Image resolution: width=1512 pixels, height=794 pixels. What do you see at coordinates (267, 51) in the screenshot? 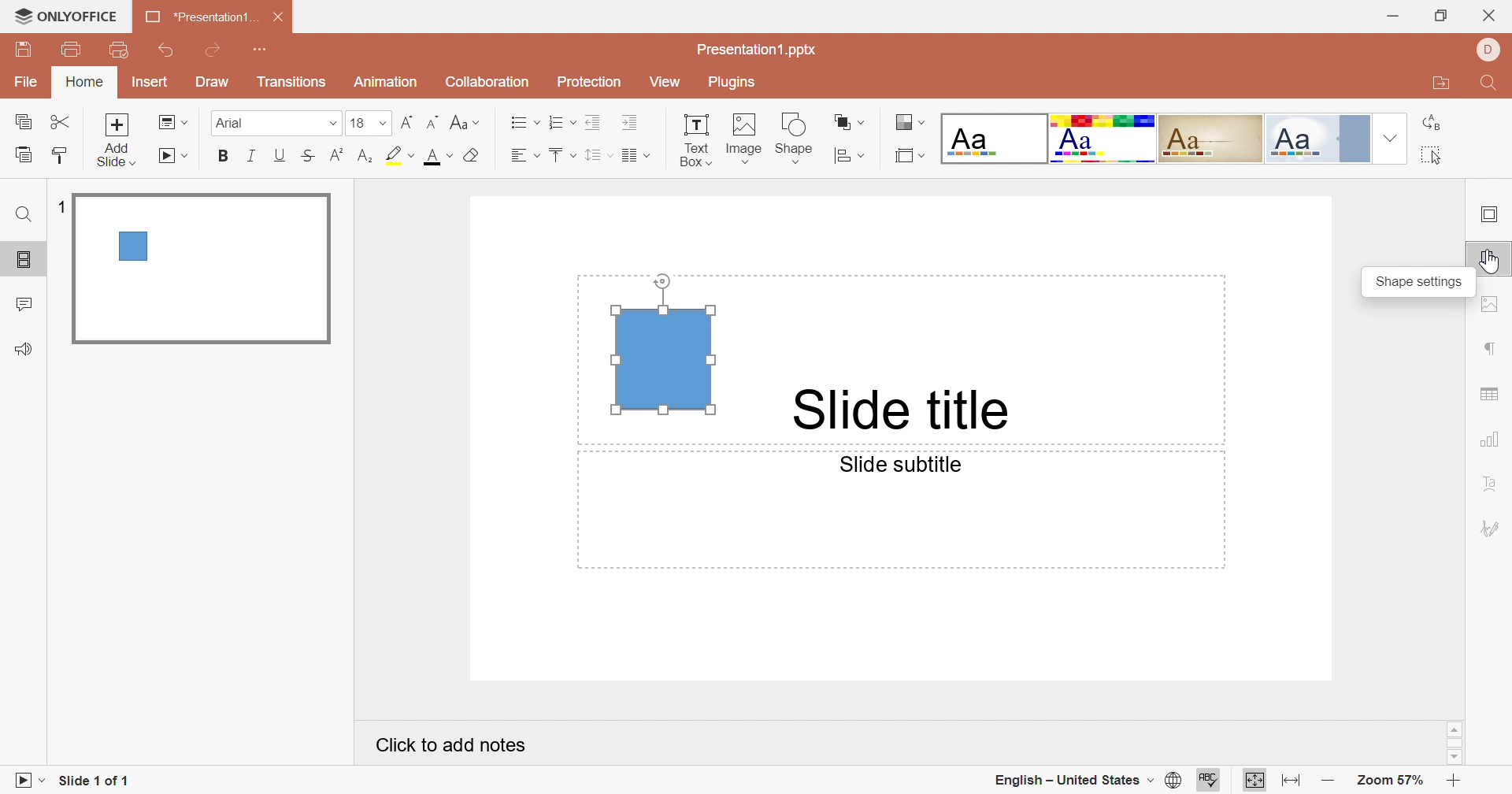
I see `Customize Quick Access Toolbar` at bounding box center [267, 51].